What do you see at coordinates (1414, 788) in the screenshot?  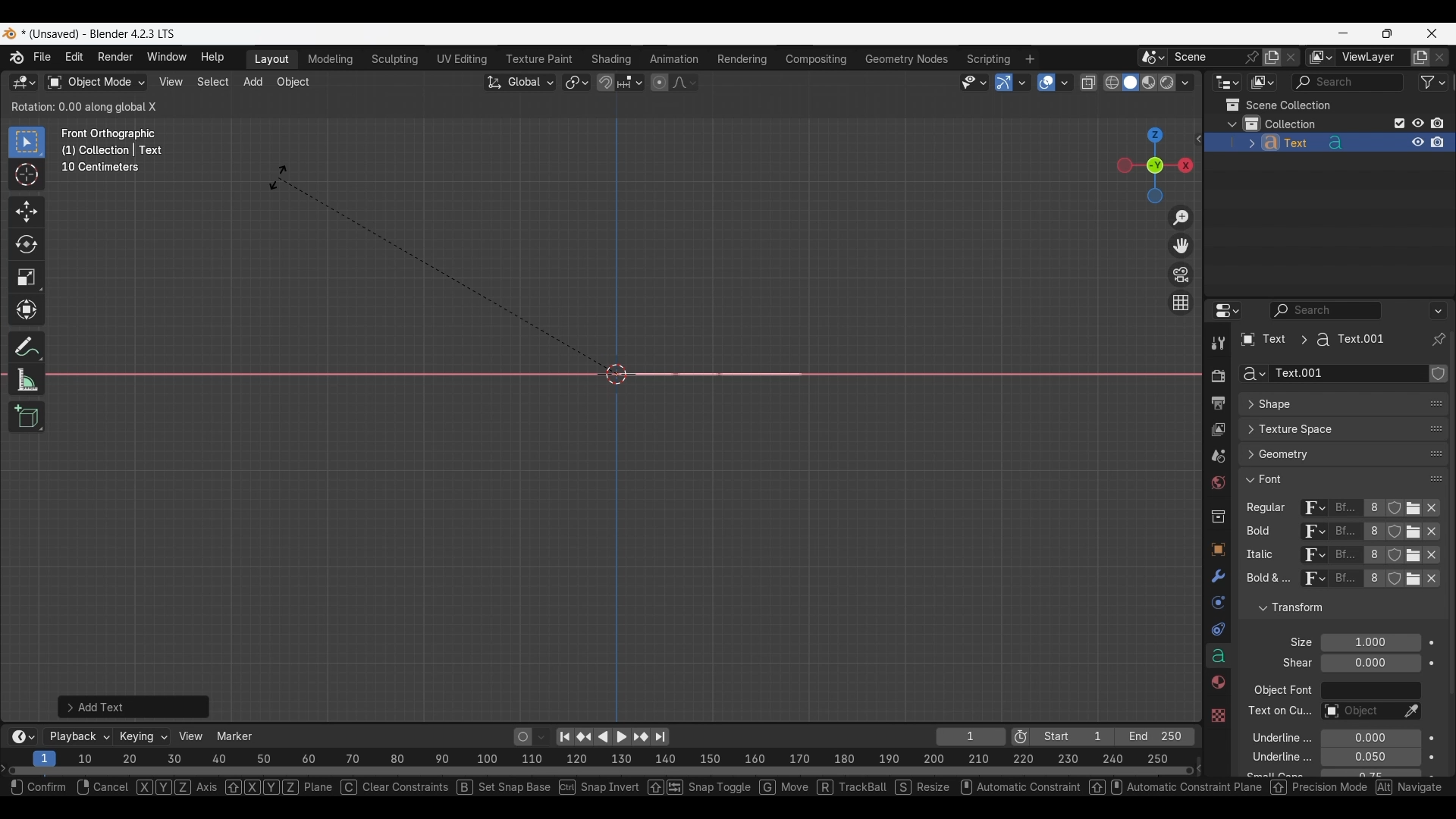 I see `shortcut` at bounding box center [1414, 788].